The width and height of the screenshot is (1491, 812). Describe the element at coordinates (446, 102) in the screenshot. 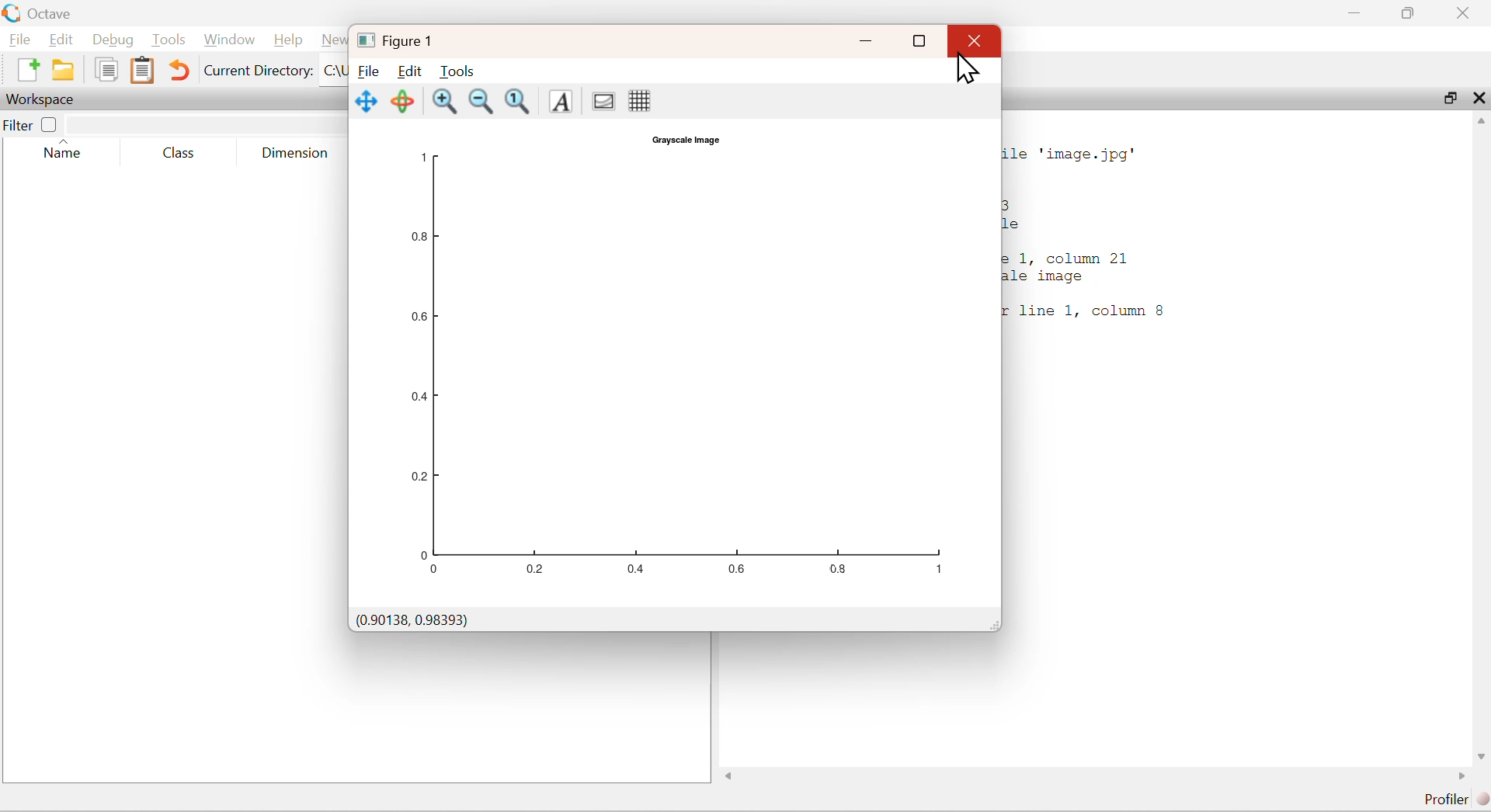

I see `Zoom in` at that location.